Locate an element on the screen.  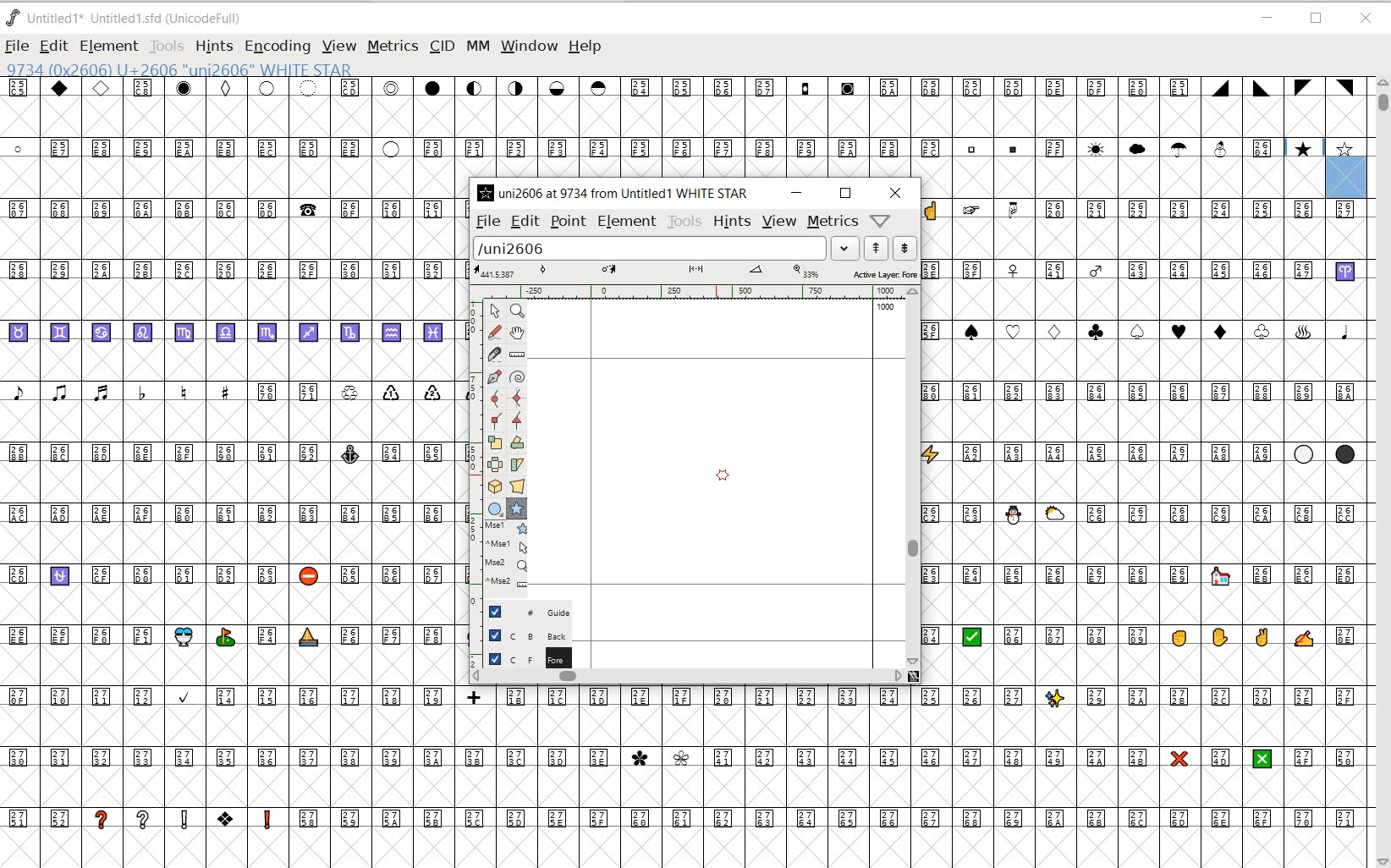
SCROLLBAR is located at coordinates (913, 475).